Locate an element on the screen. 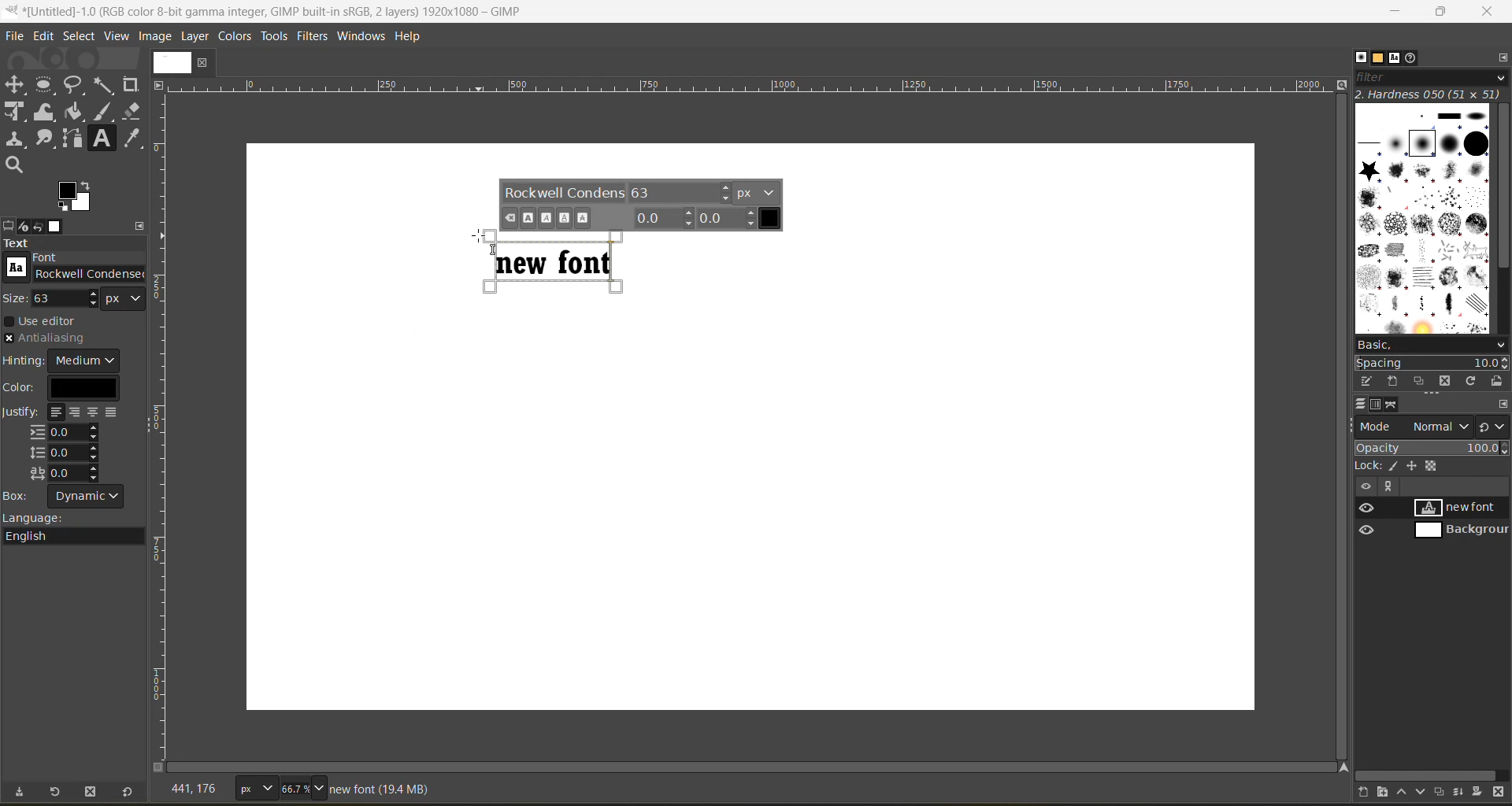 The width and height of the screenshot is (1512, 806). delete this layer is located at coordinates (1499, 793).